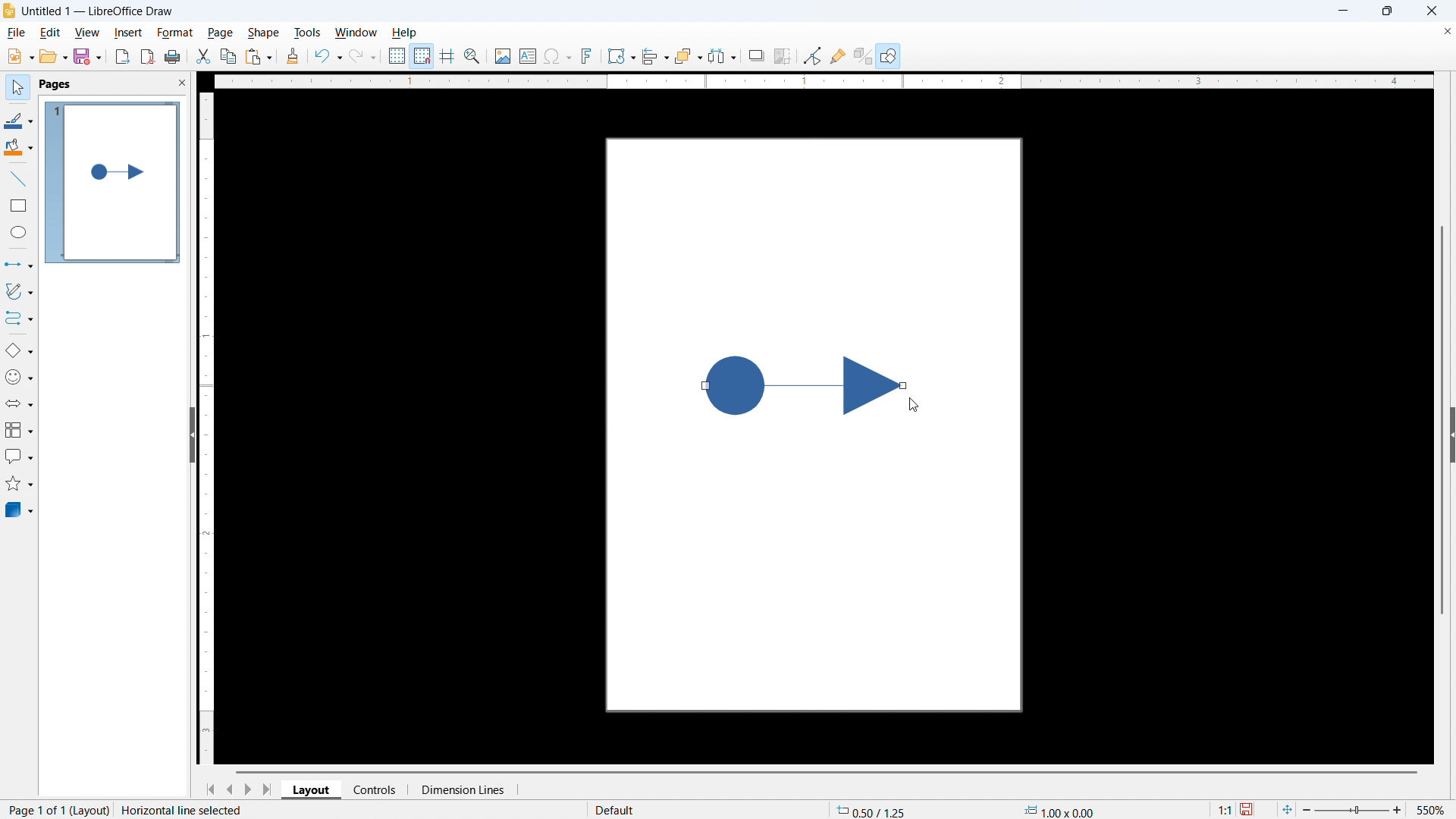 This screenshot has height=819, width=1456. I want to click on Tools , so click(307, 33).